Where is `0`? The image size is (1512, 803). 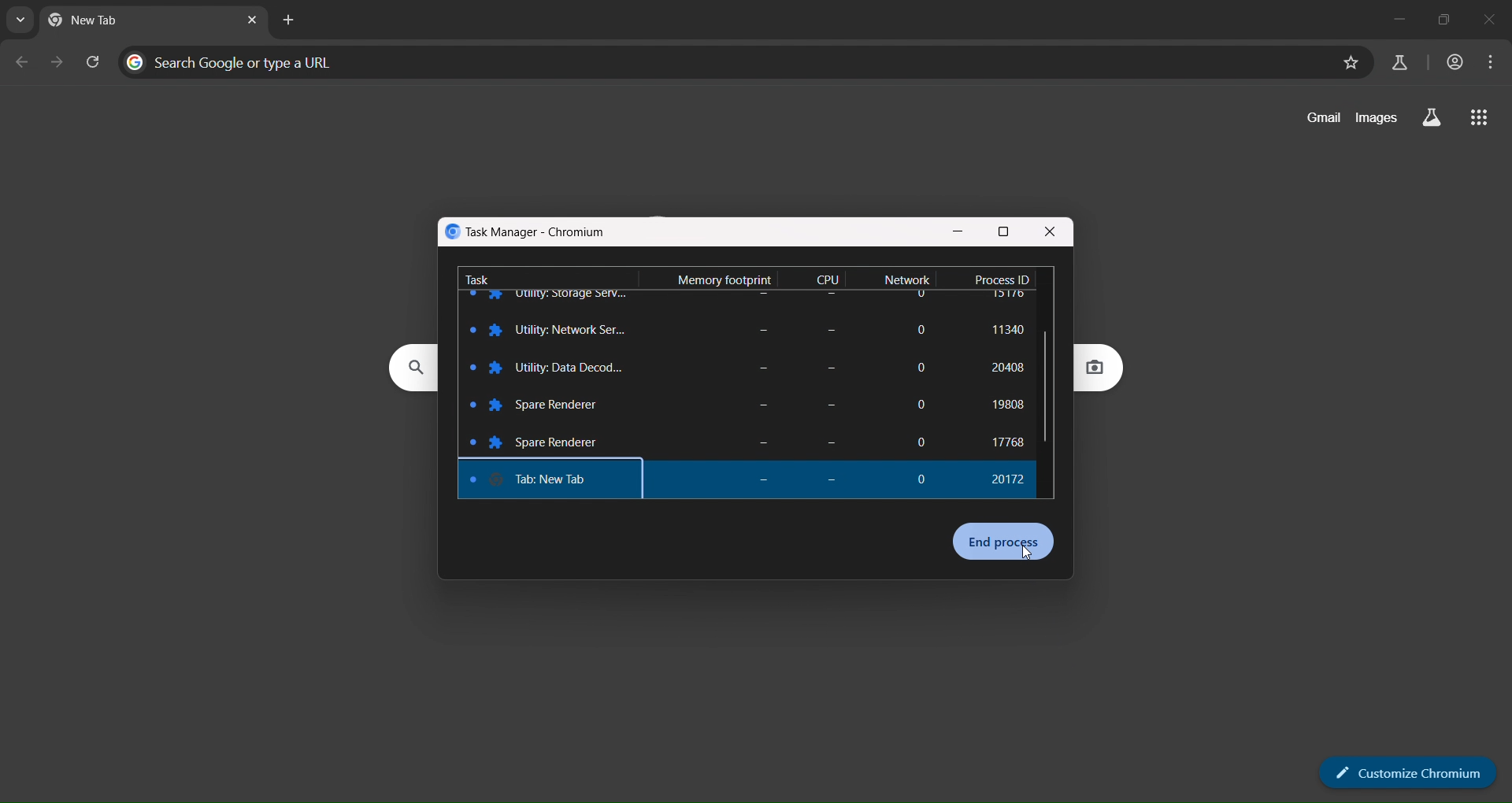 0 is located at coordinates (922, 368).